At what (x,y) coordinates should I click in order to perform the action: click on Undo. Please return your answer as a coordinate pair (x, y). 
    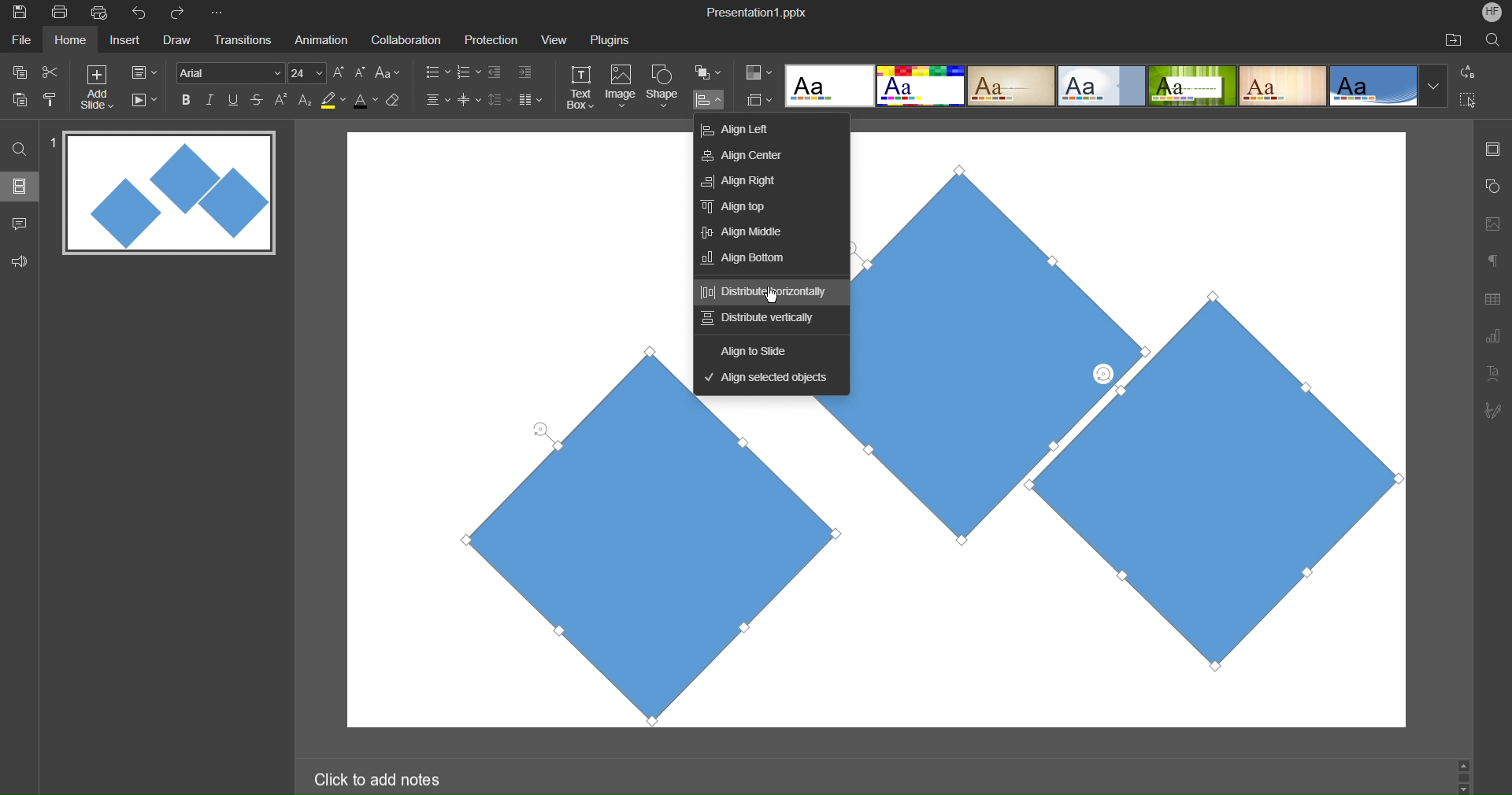
    Looking at the image, I should click on (143, 13).